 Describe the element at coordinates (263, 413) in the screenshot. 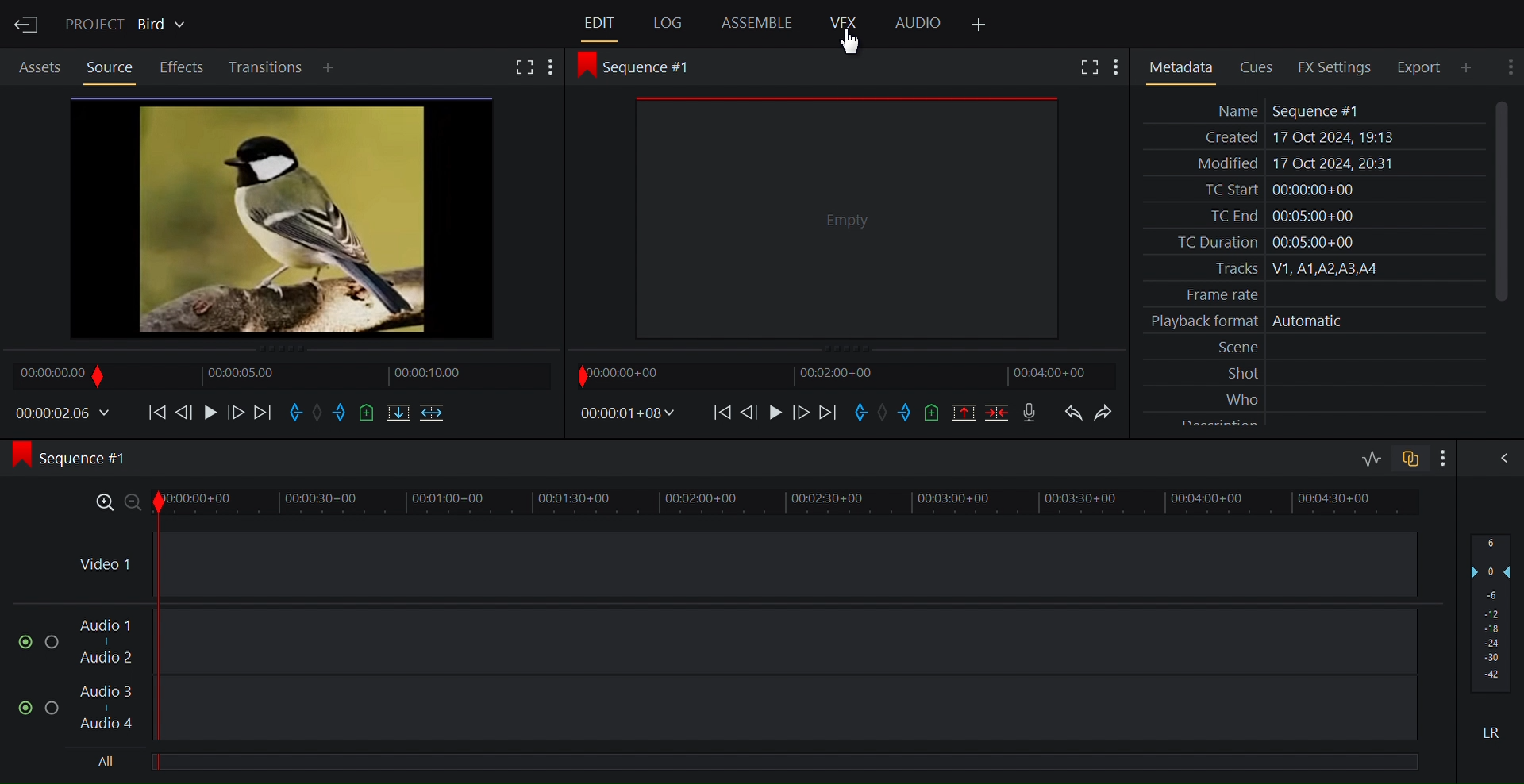

I see `Move forward` at that location.